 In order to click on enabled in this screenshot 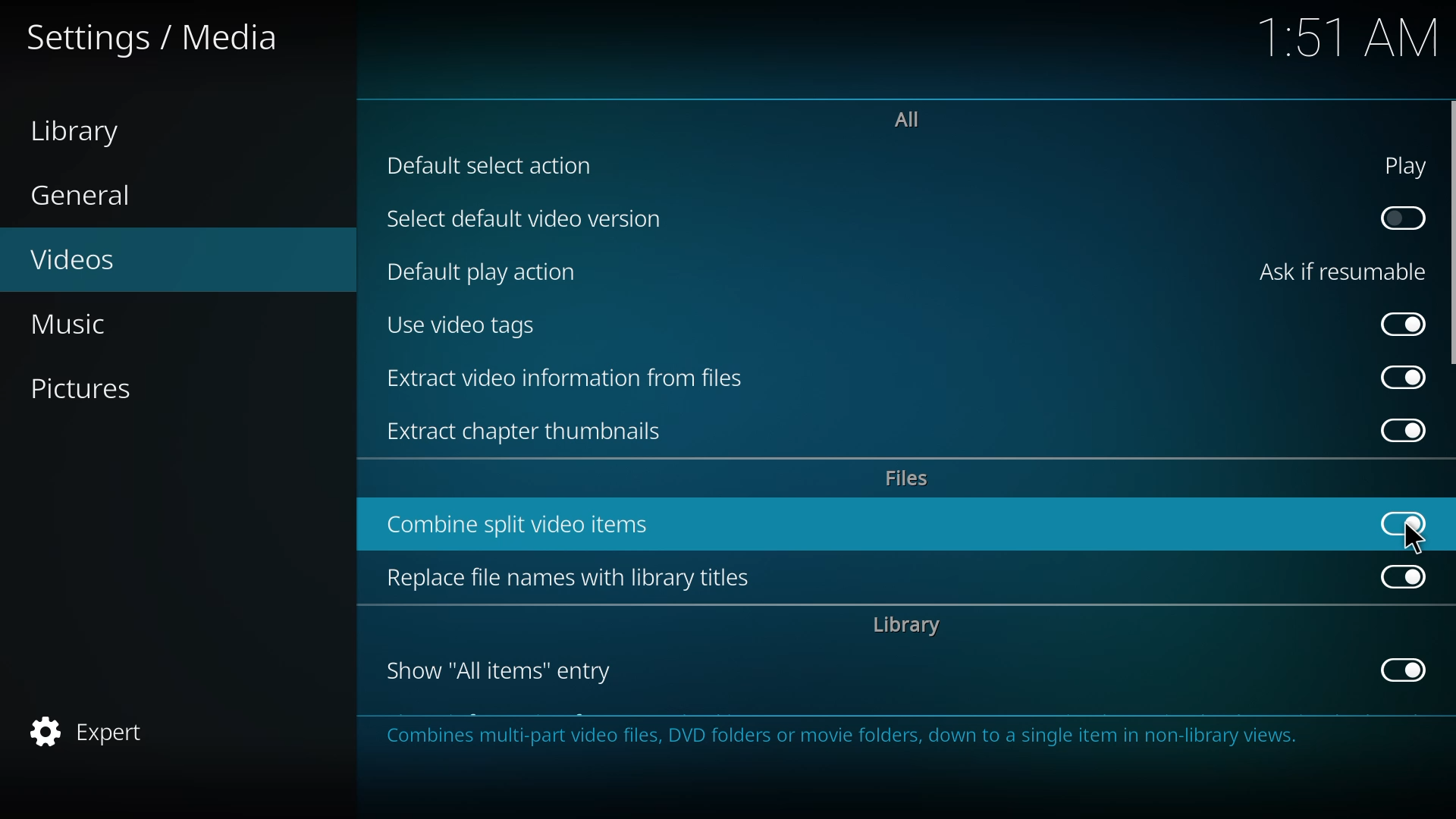, I will do `click(1399, 377)`.